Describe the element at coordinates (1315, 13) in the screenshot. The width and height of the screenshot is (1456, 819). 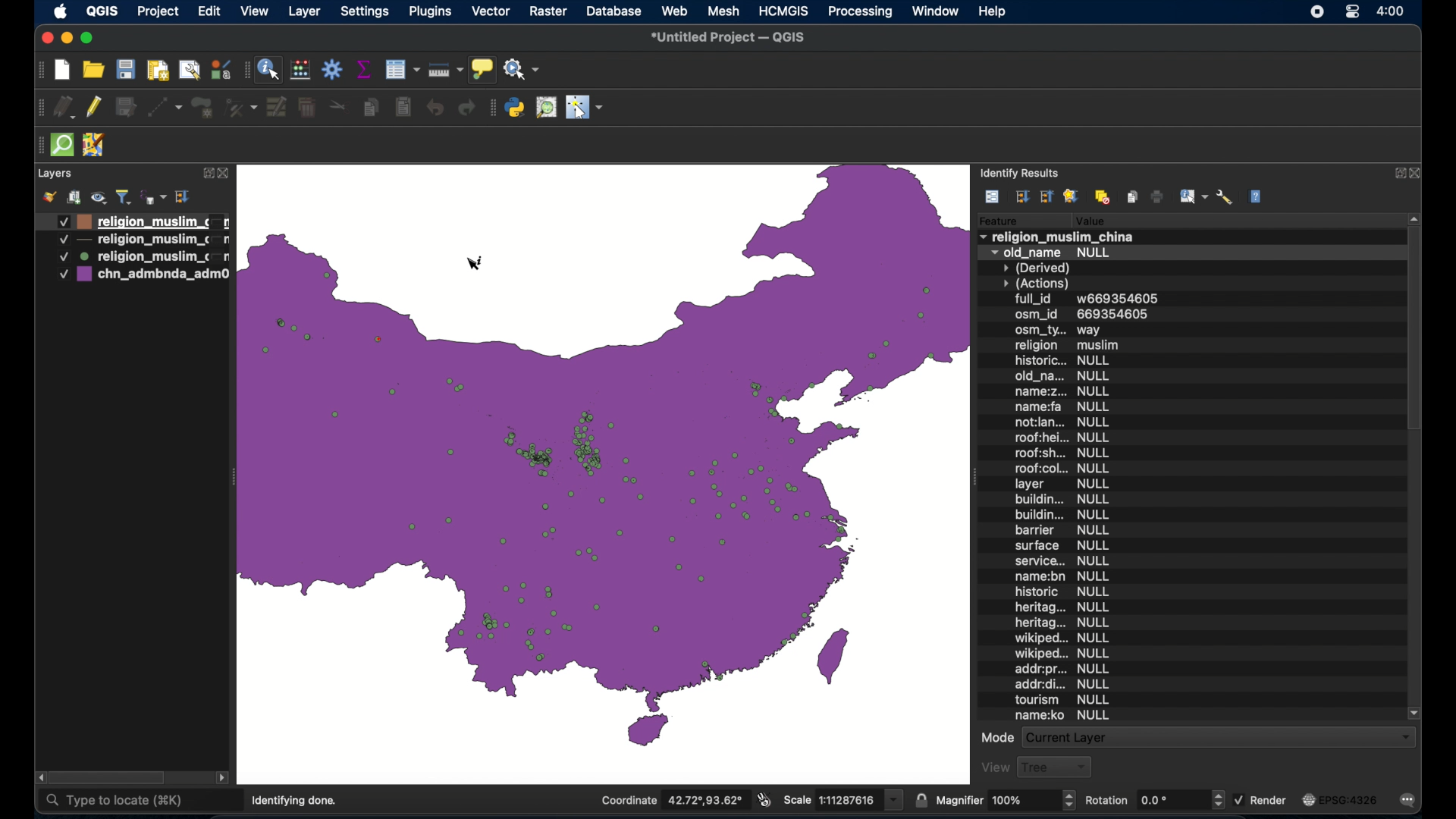
I see `screen recorder icon` at that location.